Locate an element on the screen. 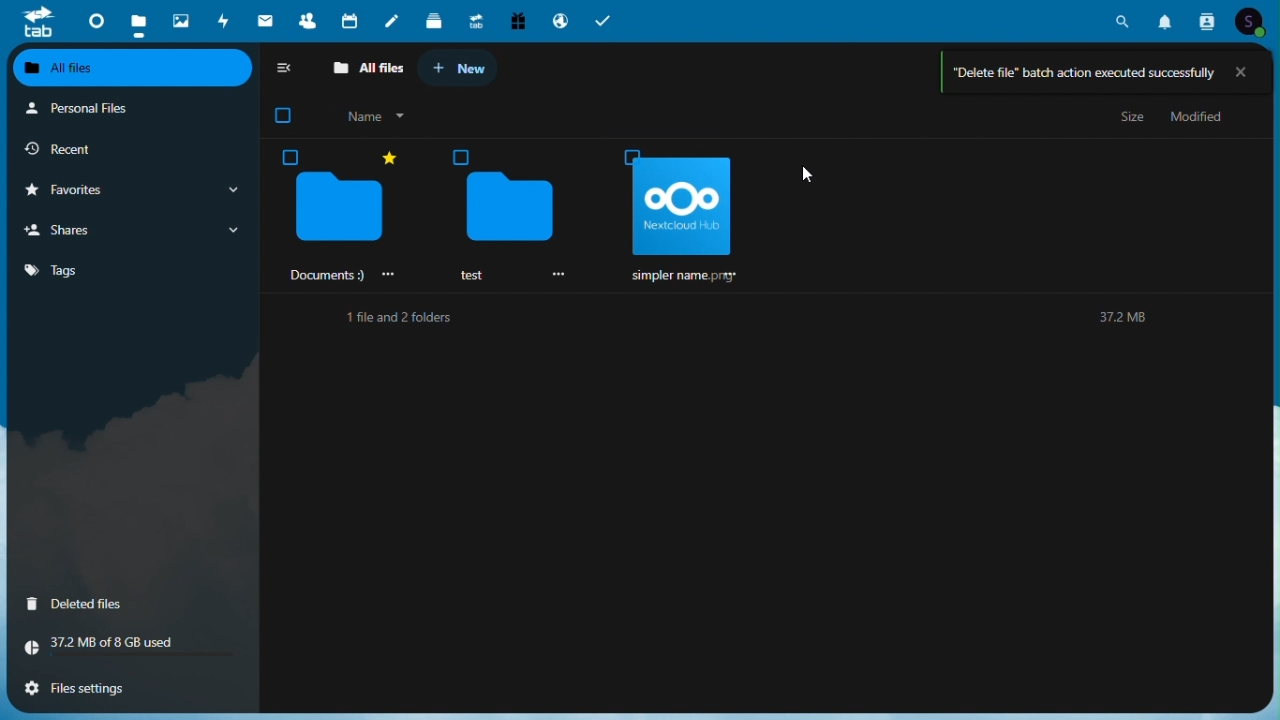 The height and width of the screenshot is (720, 1280). File settings  is located at coordinates (124, 692).